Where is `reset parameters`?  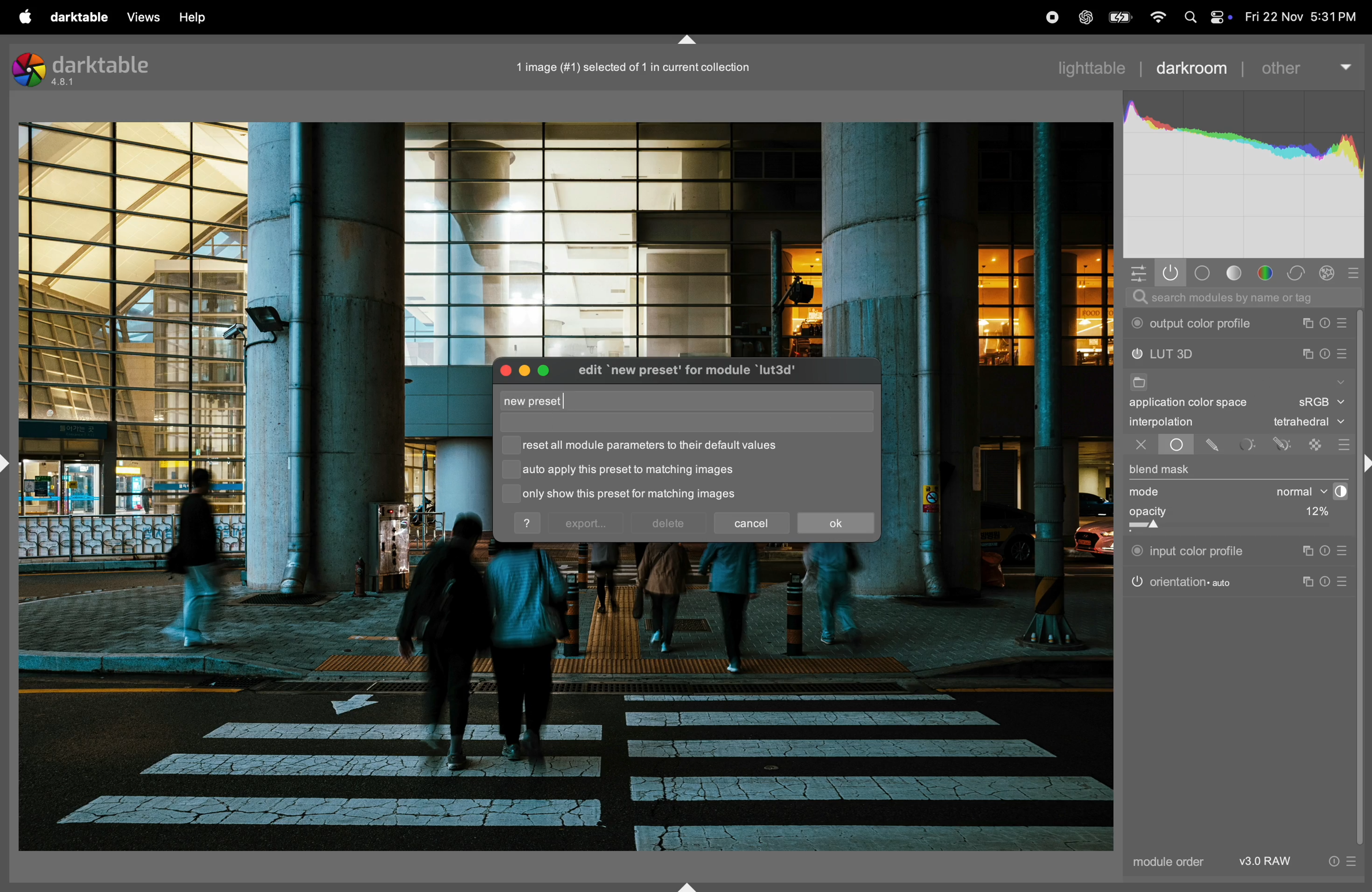
reset parameters is located at coordinates (1325, 352).